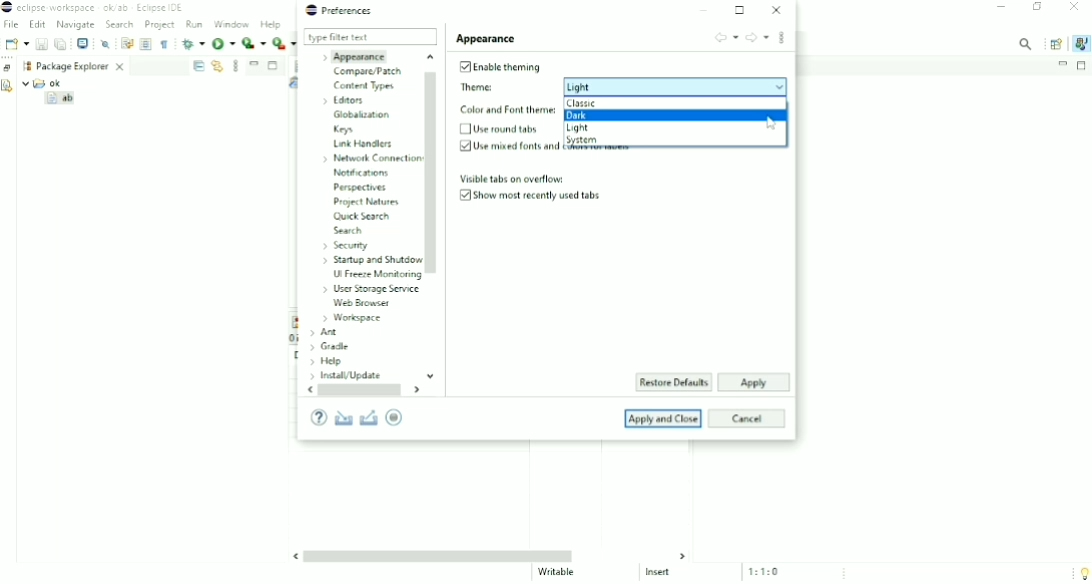  Describe the element at coordinates (741, 10) in the screenshot. I see `Maximize` at that location.